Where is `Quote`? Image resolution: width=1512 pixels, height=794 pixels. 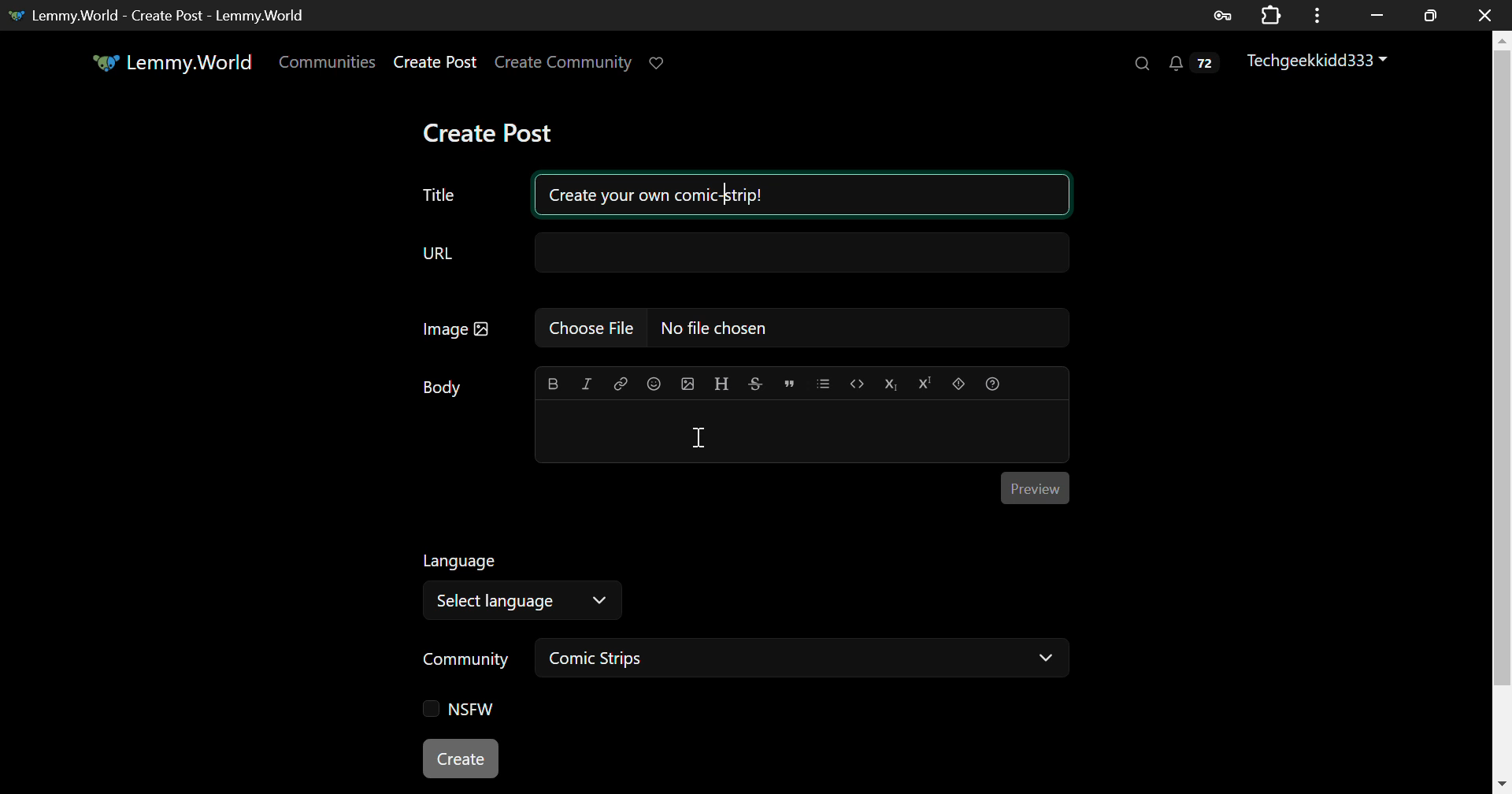 Quote is located at coordinates (789, 382).